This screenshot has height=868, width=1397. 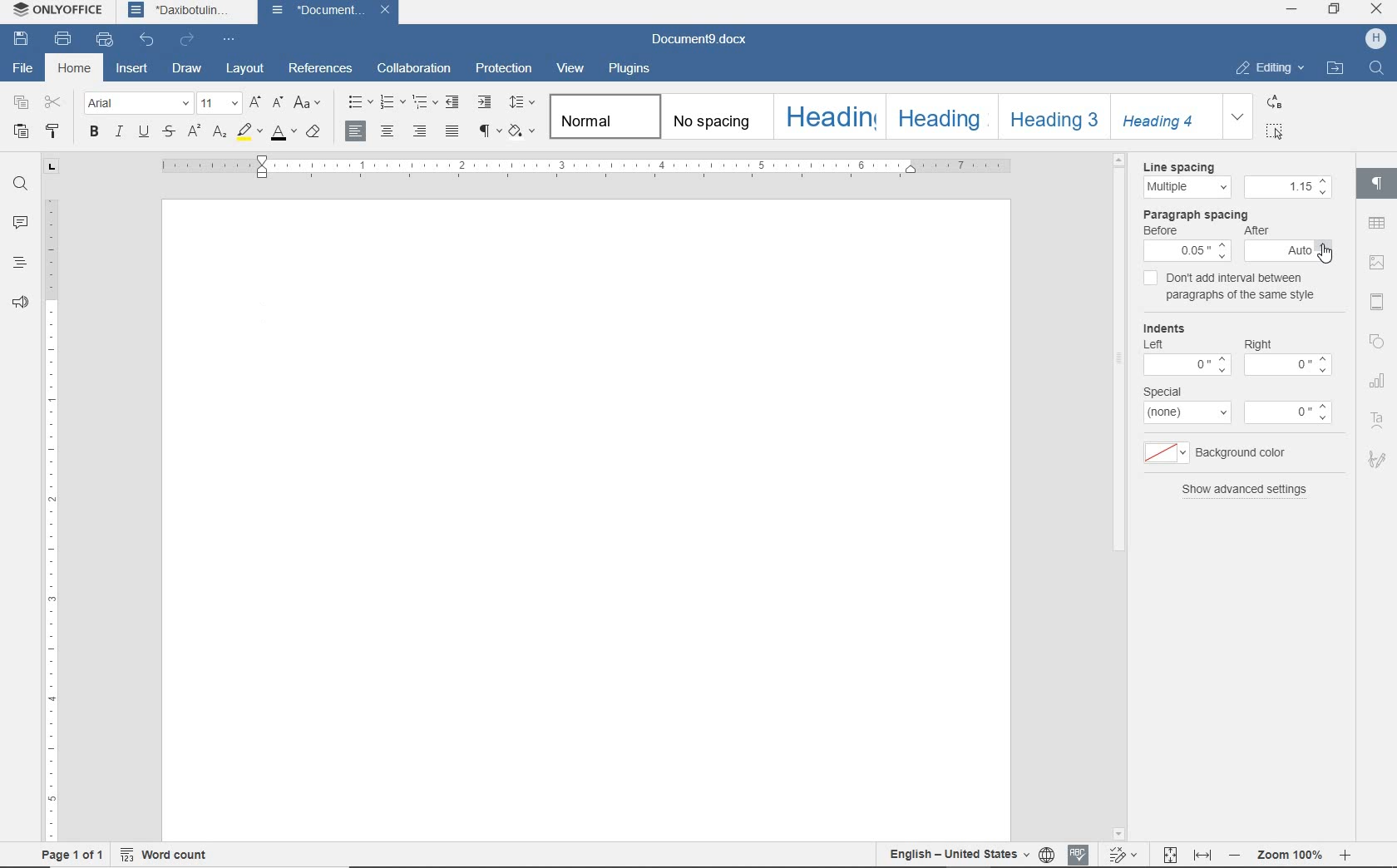 What do you see at coordinates (93, 133) in the screenshot?
I see `bold` at bounding box center [93, 133].